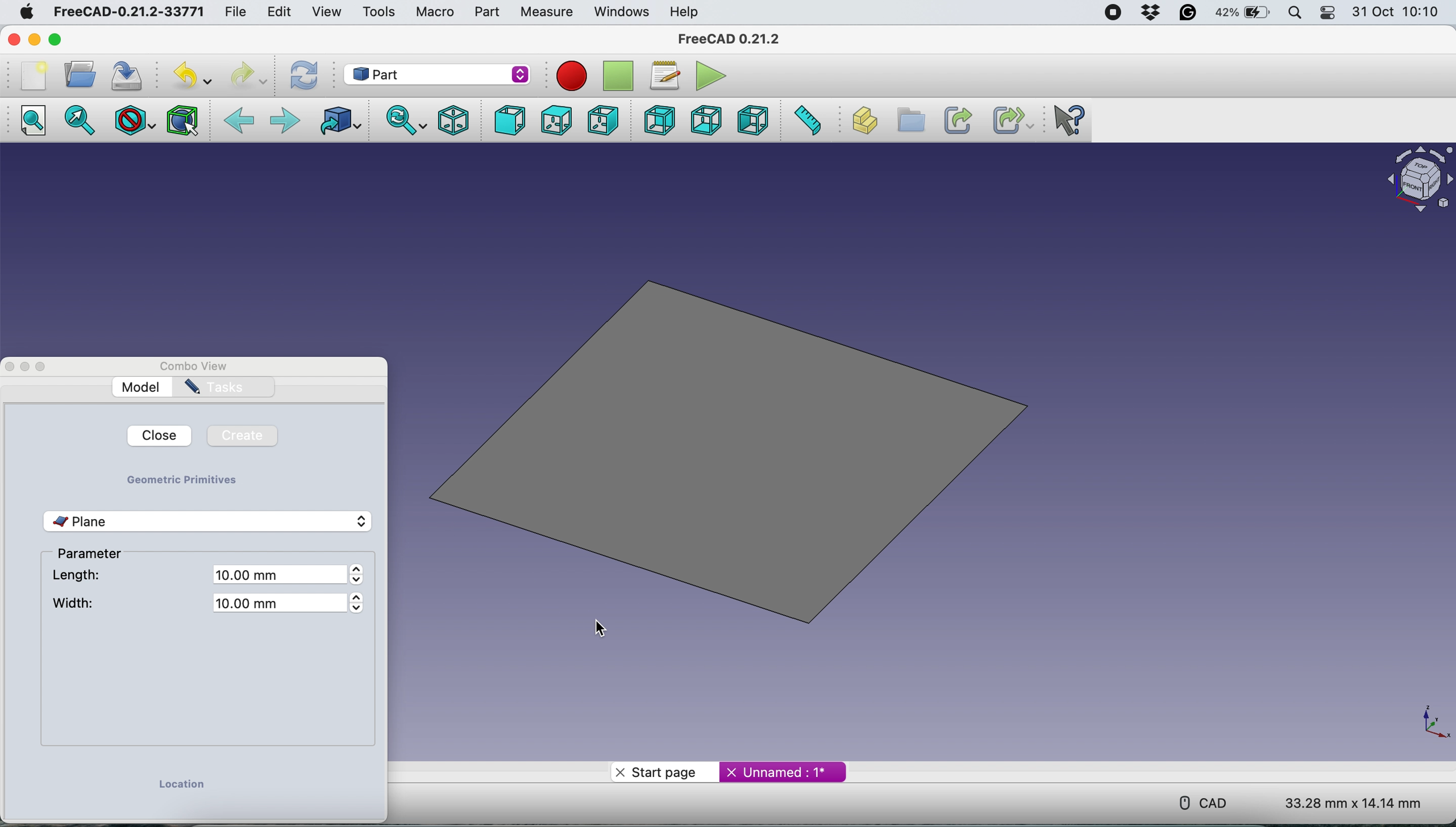 Image resolution: width=1456 pixels, height=827 pixels. I want to click on Dimensions: 33.28 mm x 14.14 mm, so click(1346, 801).